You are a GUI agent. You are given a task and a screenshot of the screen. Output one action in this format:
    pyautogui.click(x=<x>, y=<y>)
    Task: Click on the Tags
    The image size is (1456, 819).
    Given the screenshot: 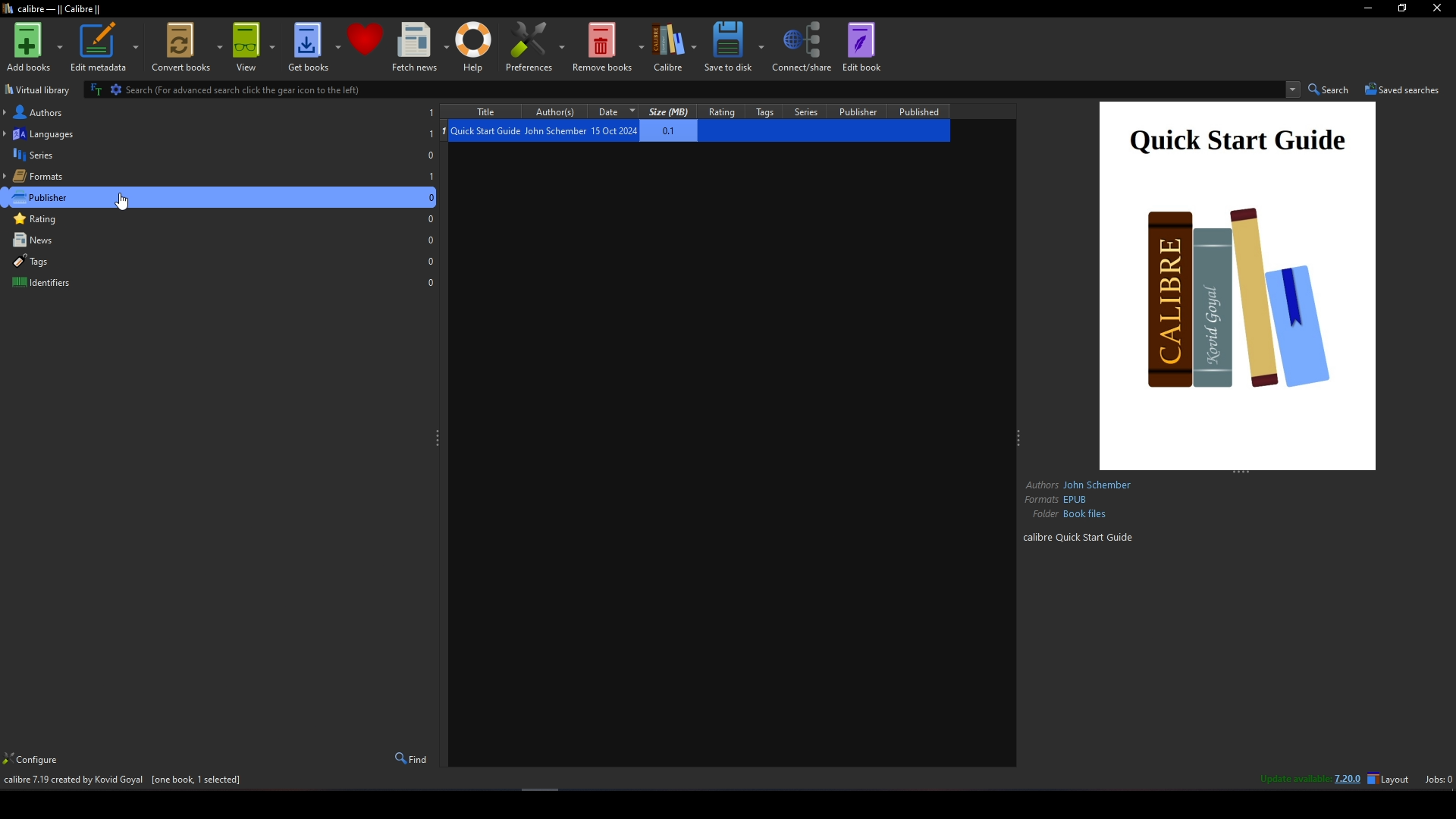 What is the action you would take?
    pyautogui.click(x=221, y=261)
    